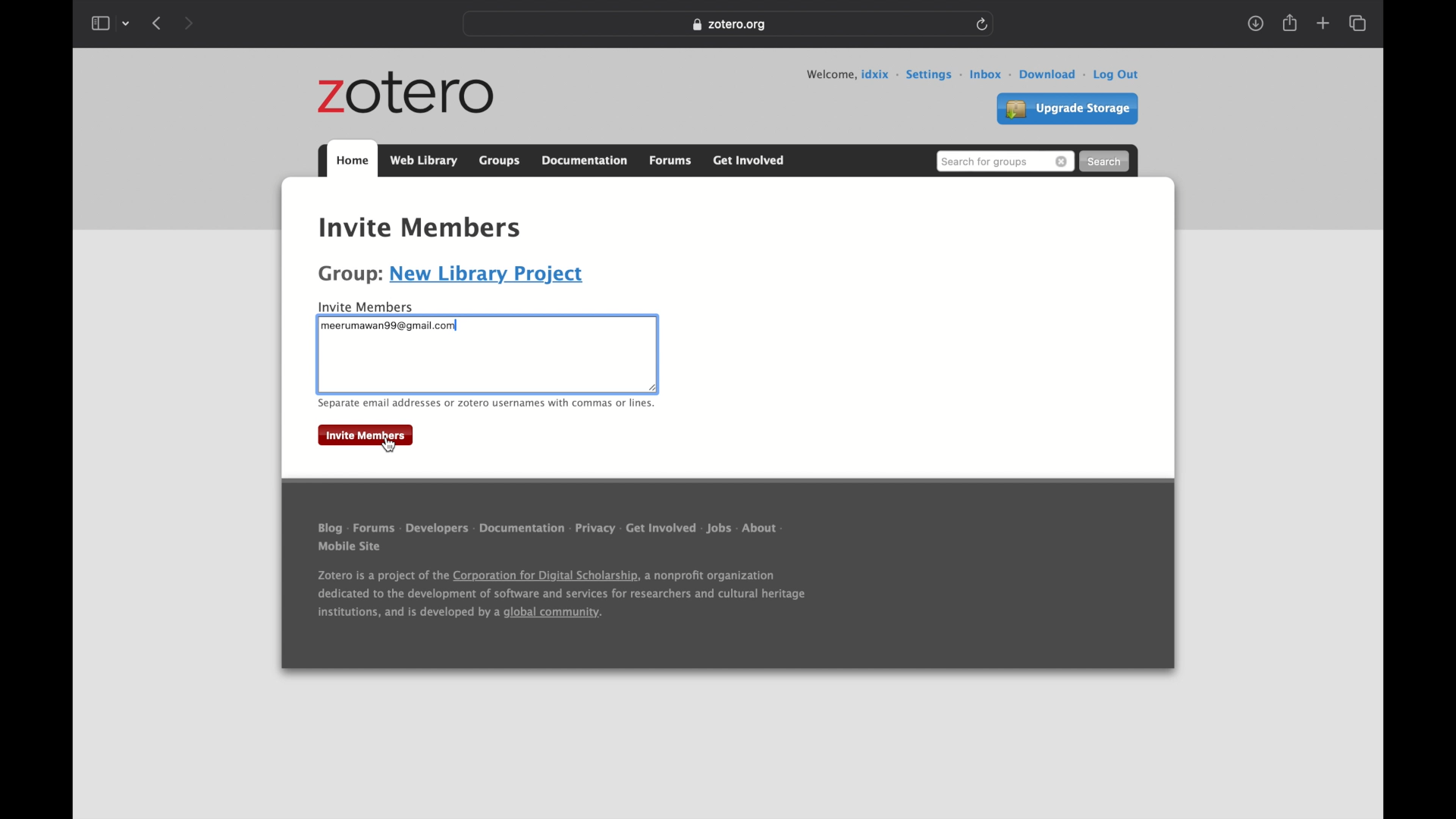  Describe the element at coordinates (661, 529) in the screenshot. I see `get involved` at that location.